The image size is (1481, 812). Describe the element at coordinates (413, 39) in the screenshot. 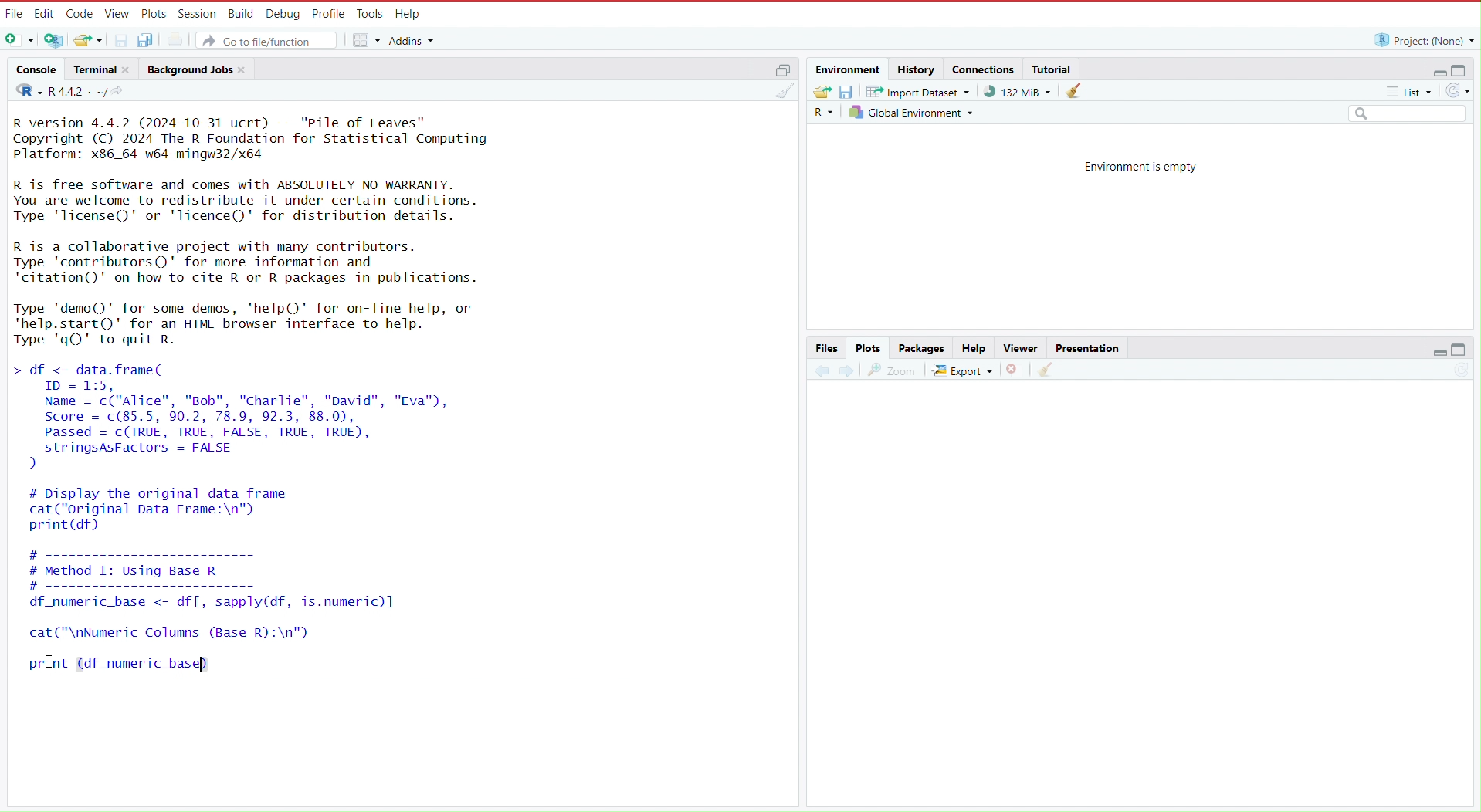

I see `addins` at that location.